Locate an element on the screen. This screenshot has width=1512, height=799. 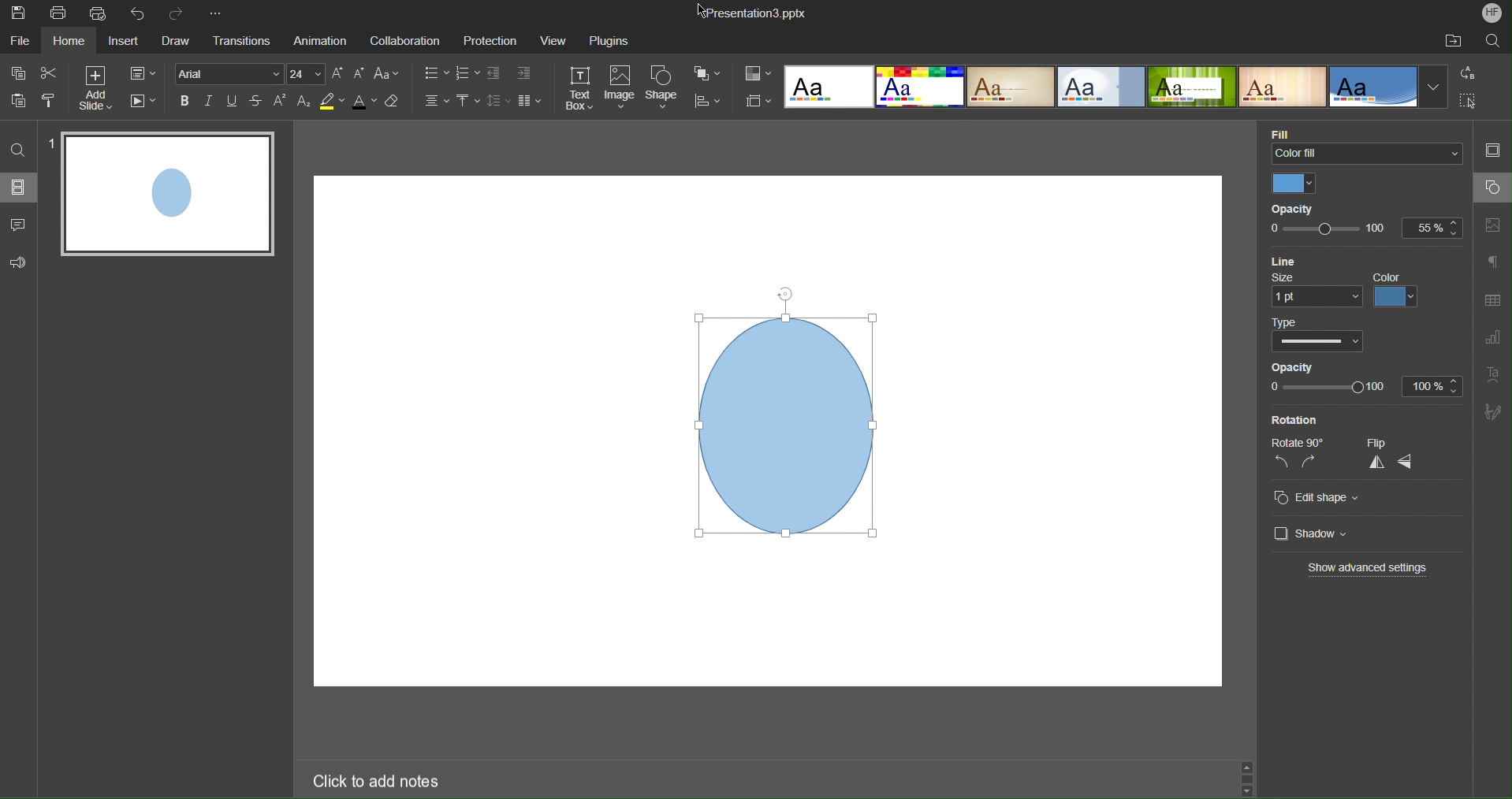
Opacity is located at coordinates (1298, 209).